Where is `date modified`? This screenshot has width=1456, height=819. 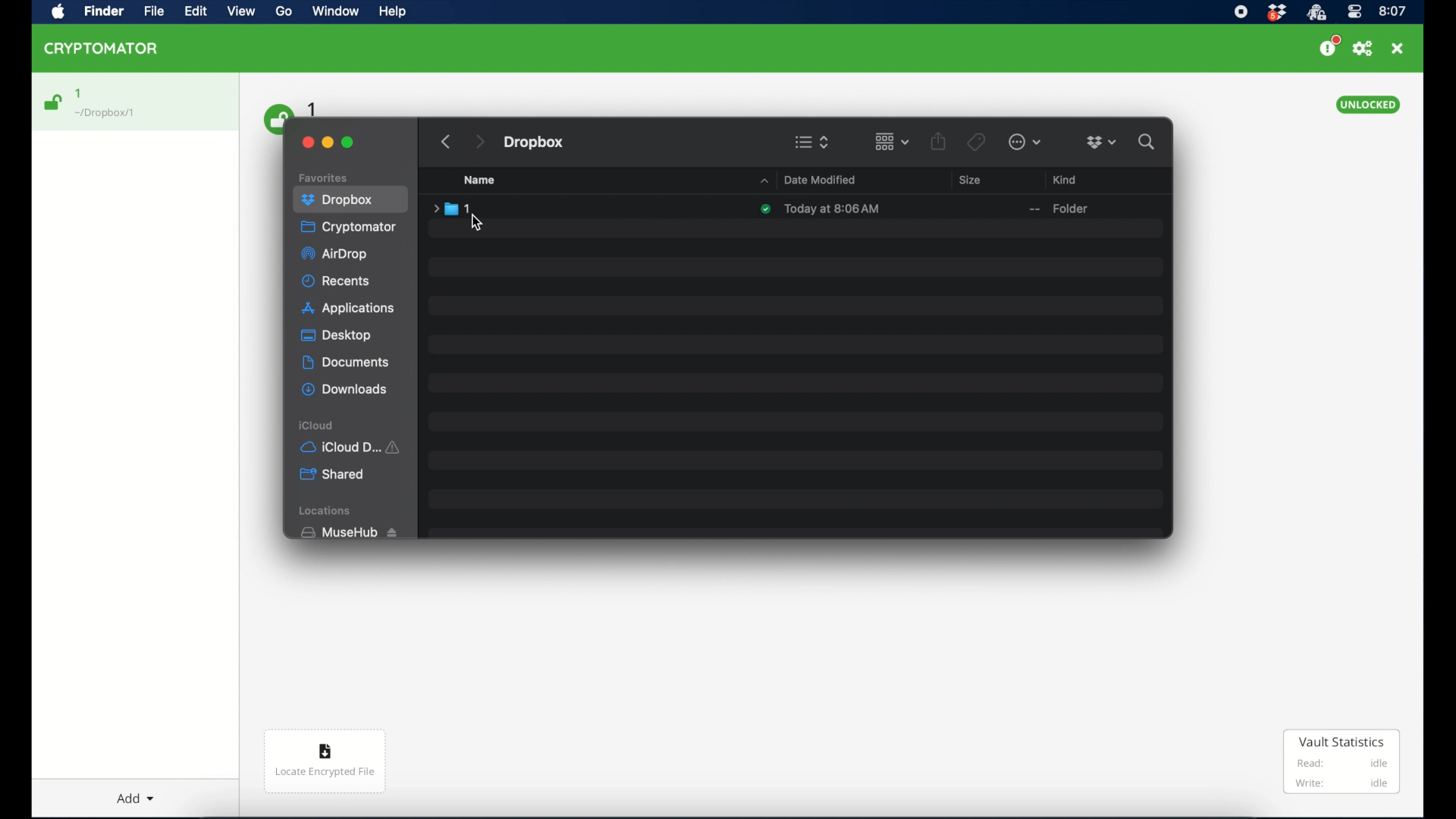 date modified is located at coordinates (819, 180).